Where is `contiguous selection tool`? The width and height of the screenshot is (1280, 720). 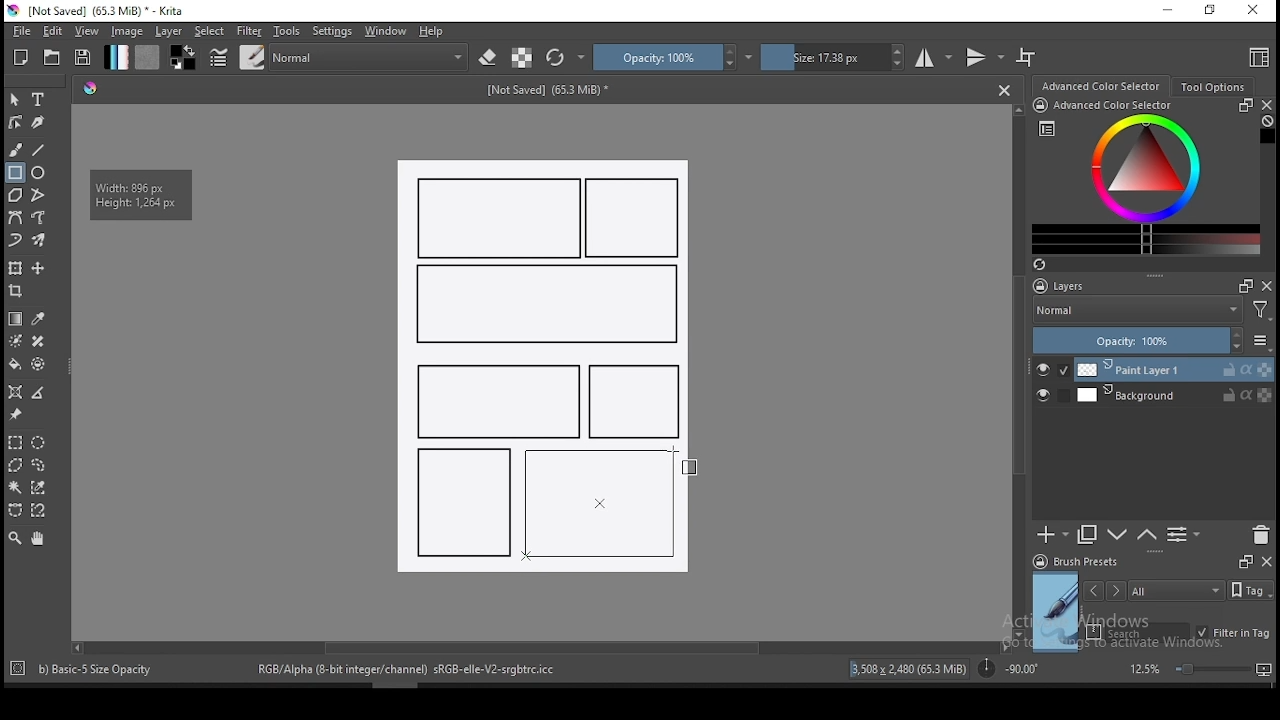 contiguous selection tool is located at coordinates (16, 489).